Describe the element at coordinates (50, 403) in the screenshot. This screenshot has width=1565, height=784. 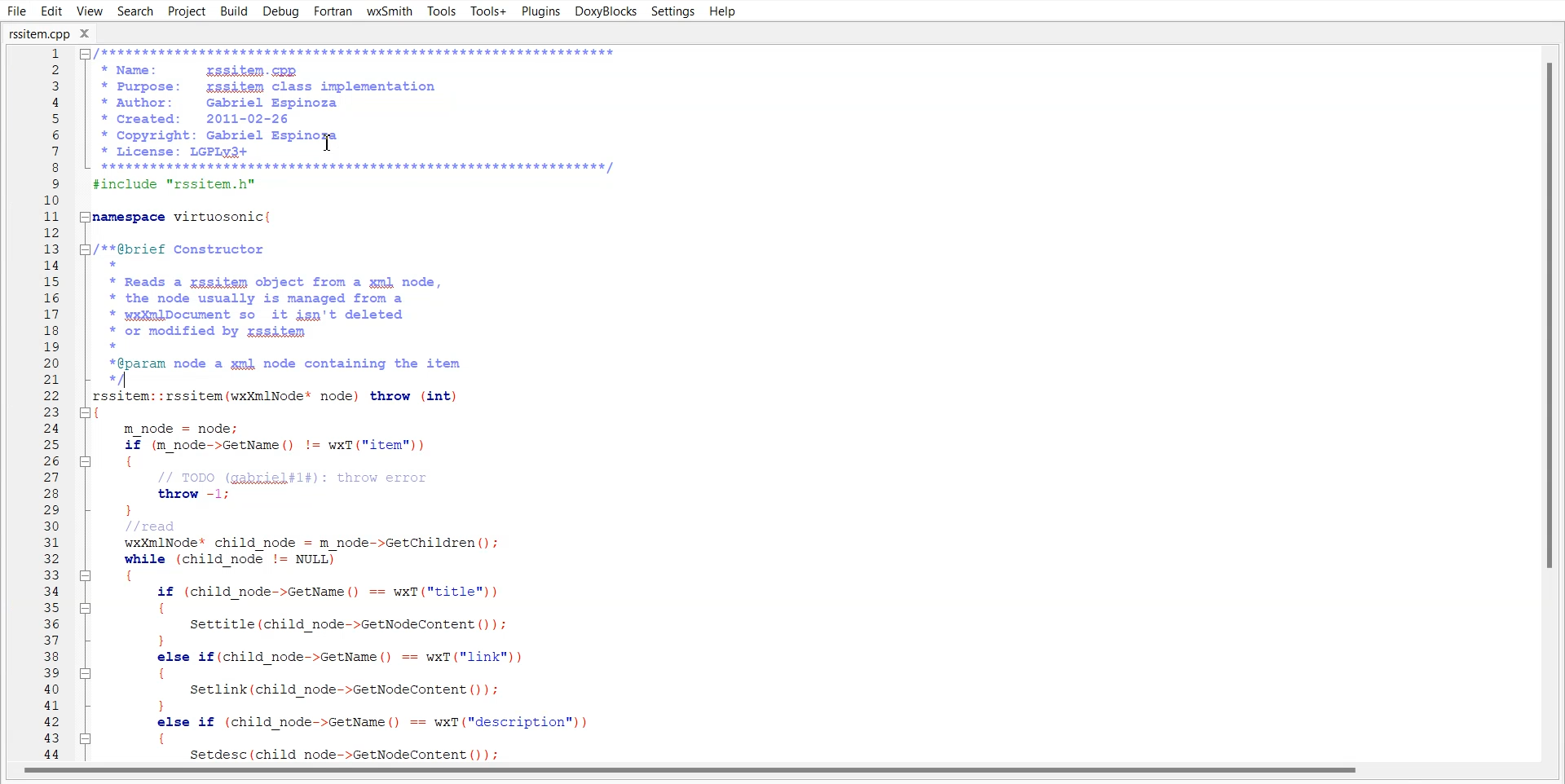
I see `Line Number` at that location.